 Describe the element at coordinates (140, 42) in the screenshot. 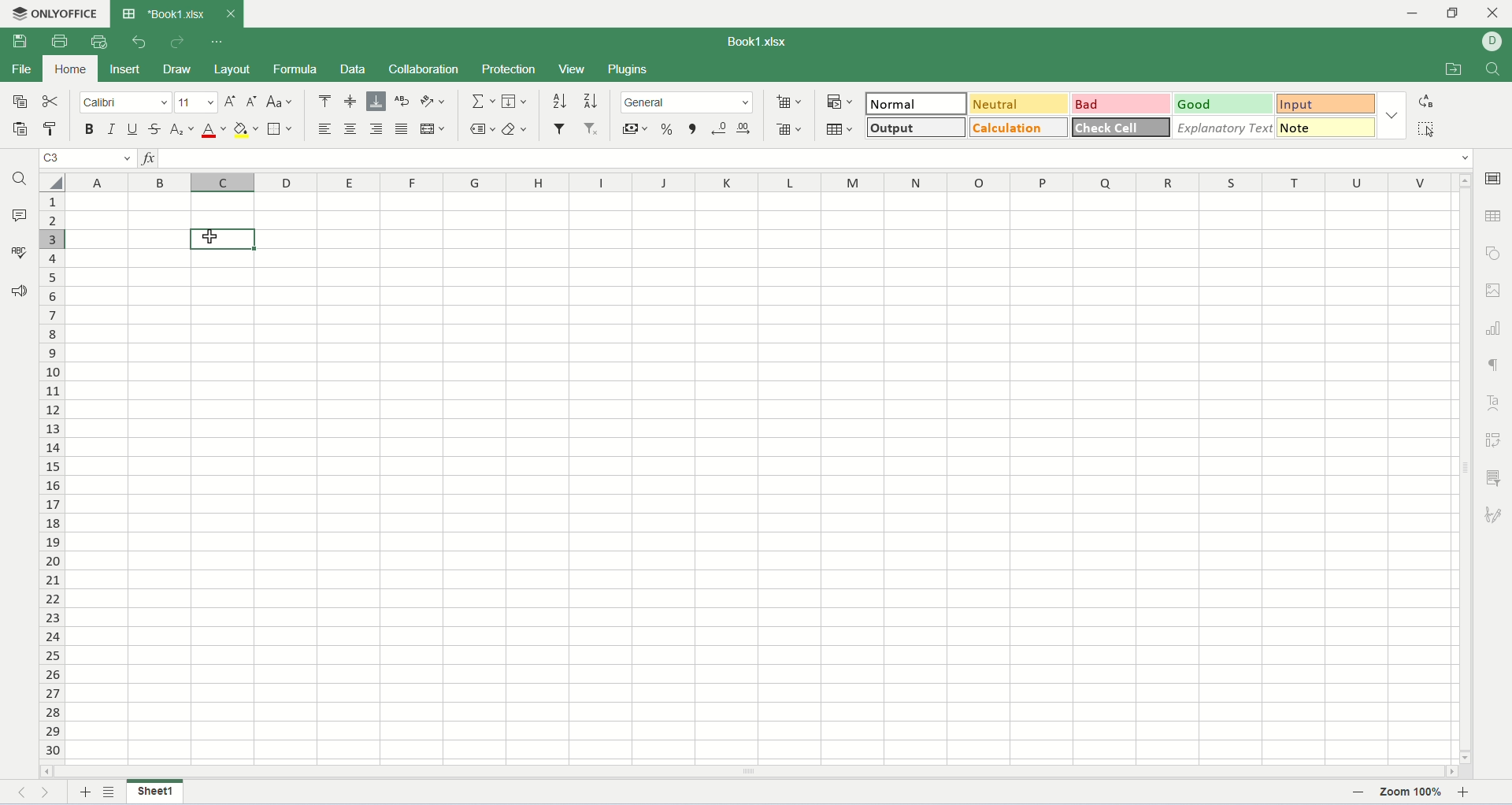

I see `undo` at that location.